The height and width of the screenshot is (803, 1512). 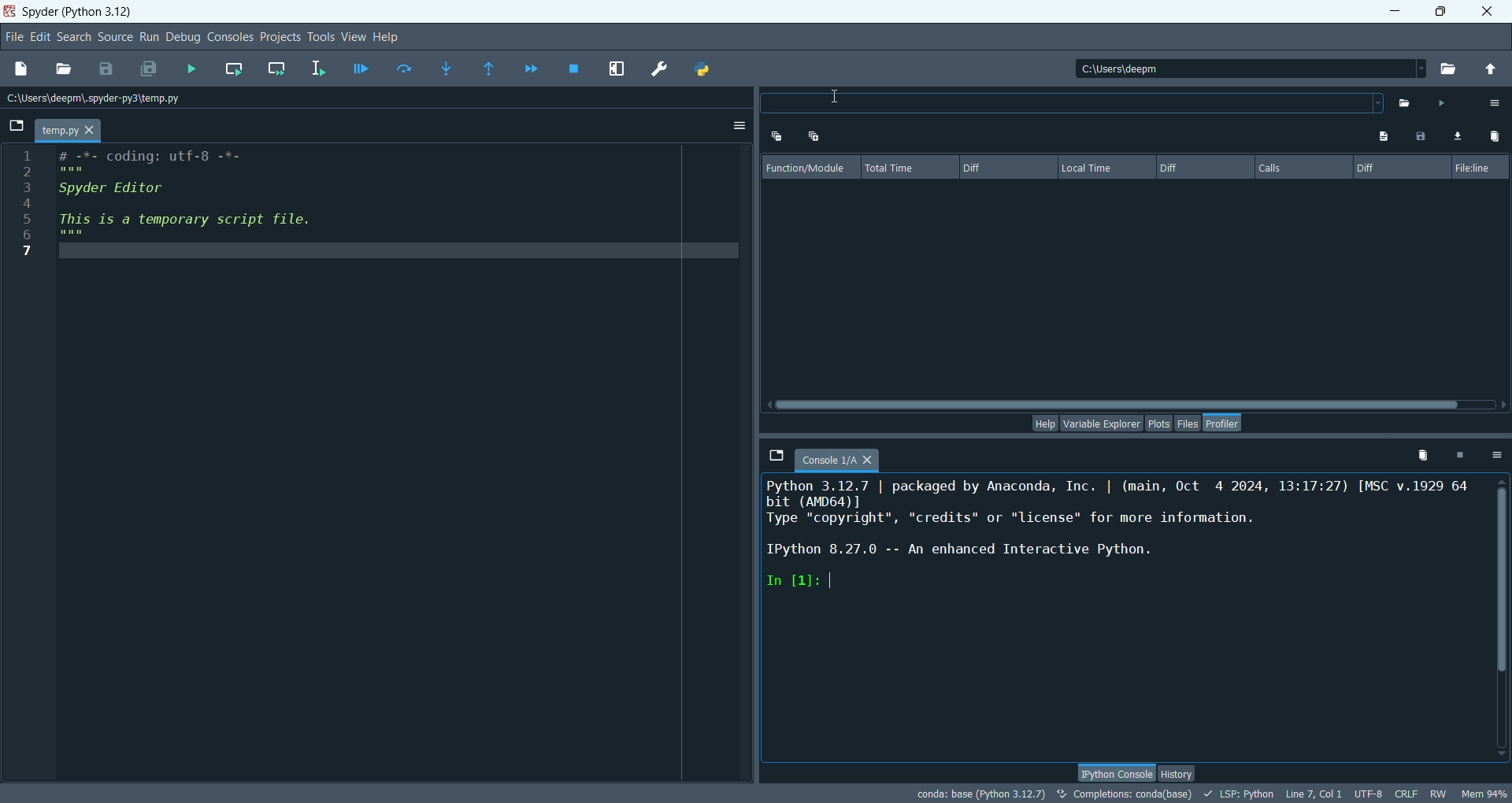 What do you see at coordinates (149, 37) in the screenshot?
I see `run` at bounding box center [149, 37].